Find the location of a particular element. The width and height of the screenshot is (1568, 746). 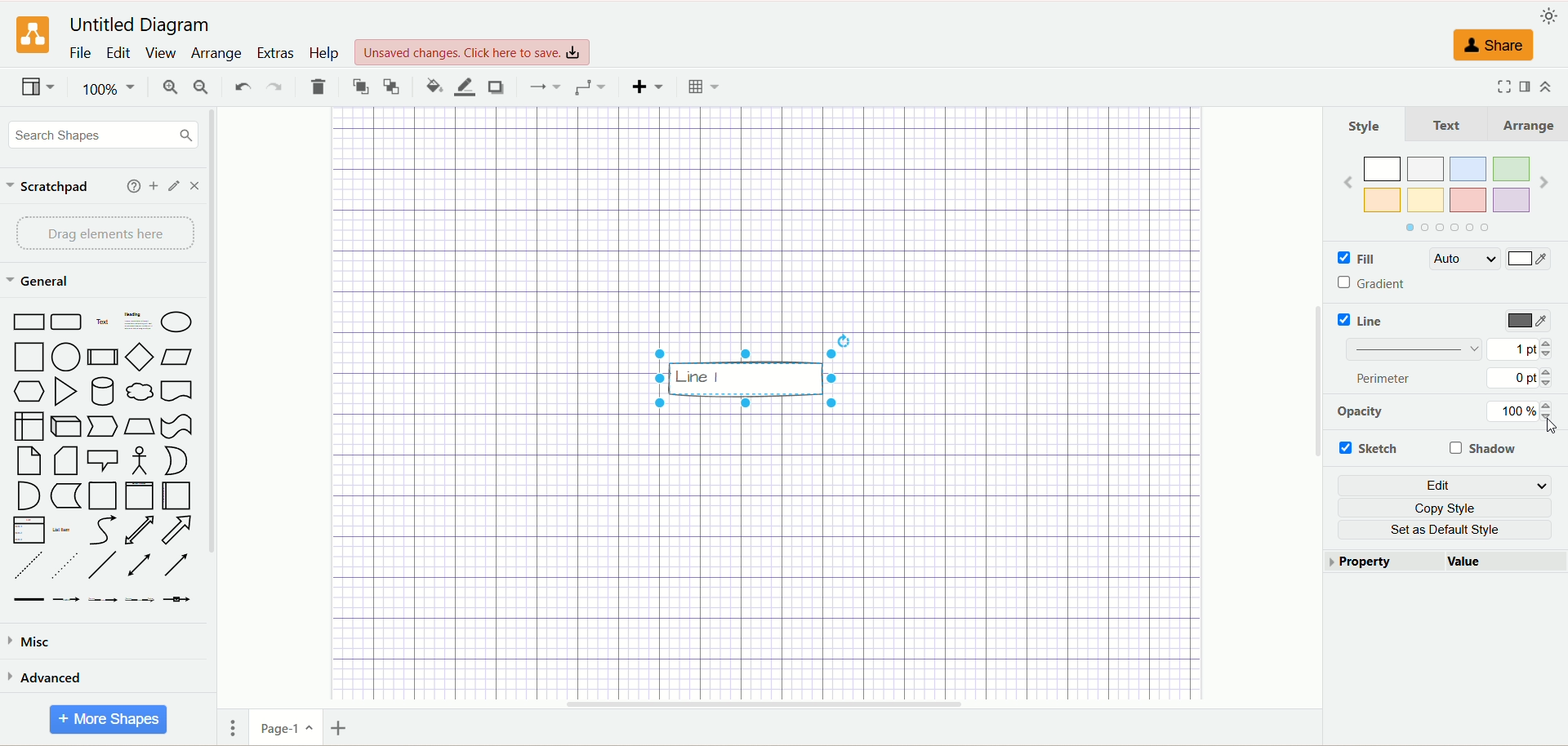

List item is located at coordinates (62, 530).